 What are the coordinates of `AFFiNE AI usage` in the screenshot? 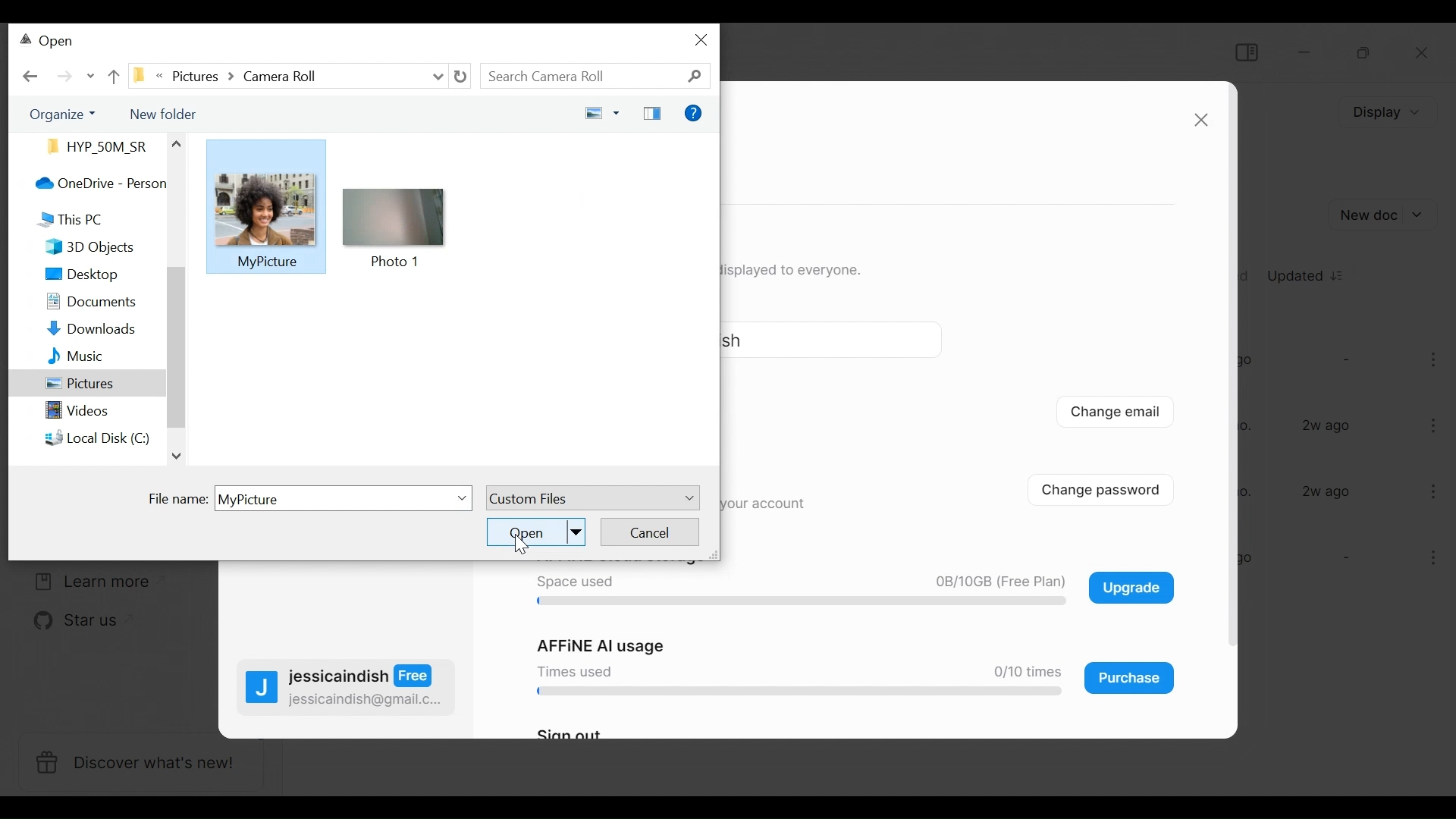 It's located at (603, 646).